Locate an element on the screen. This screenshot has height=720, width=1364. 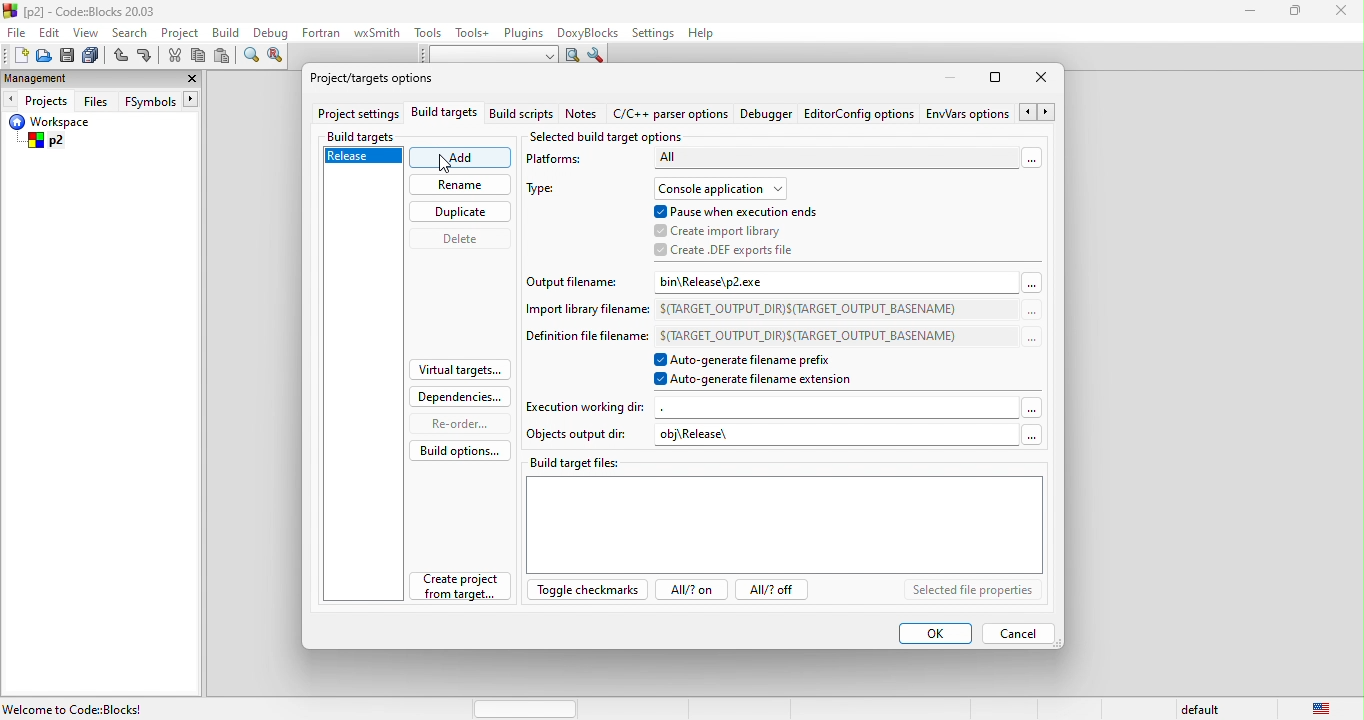
copy is located at coordinates (200, 58).